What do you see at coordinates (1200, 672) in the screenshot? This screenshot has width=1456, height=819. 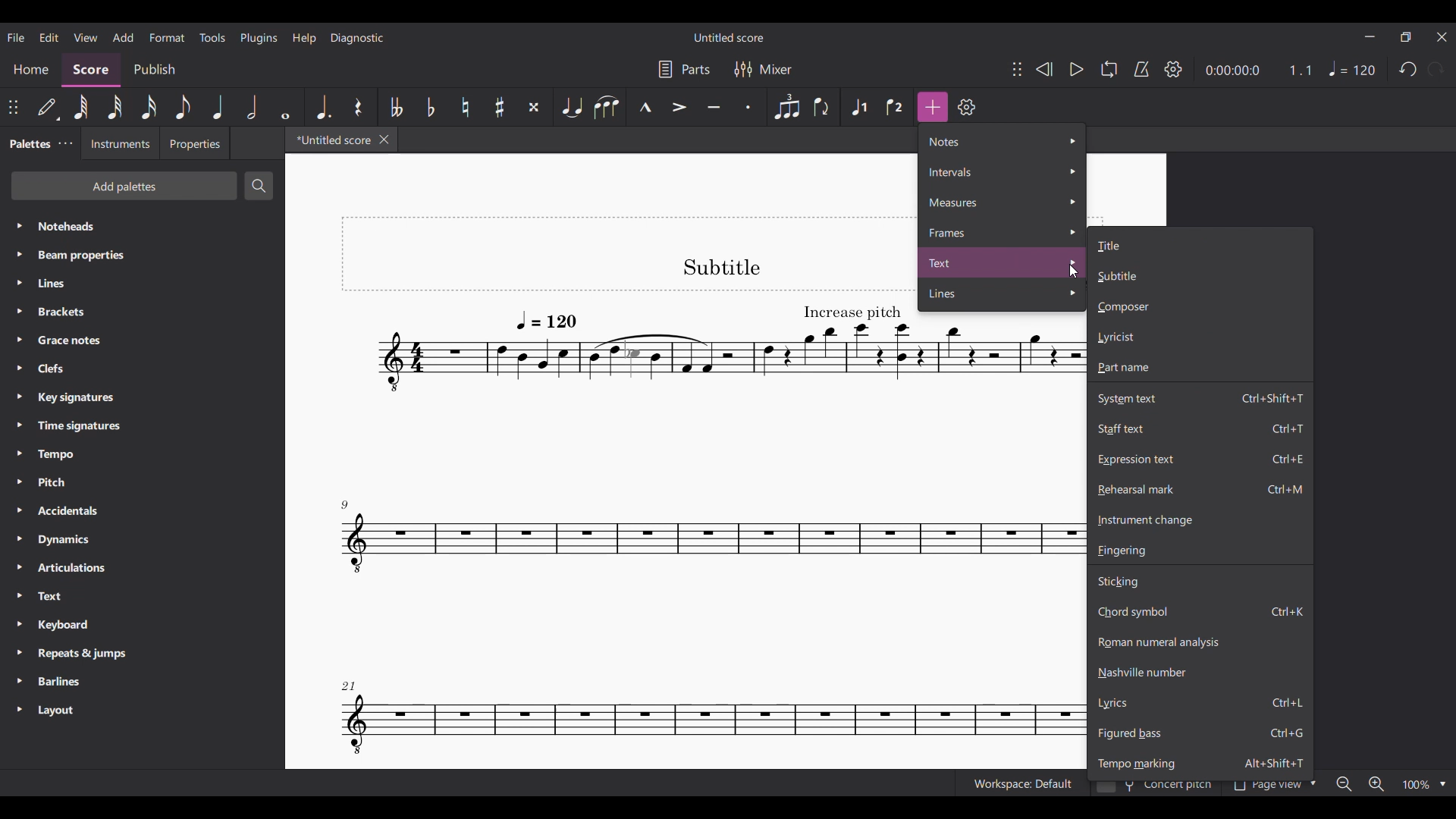 I see `Nashville number` at bounding box center [1200, 672].